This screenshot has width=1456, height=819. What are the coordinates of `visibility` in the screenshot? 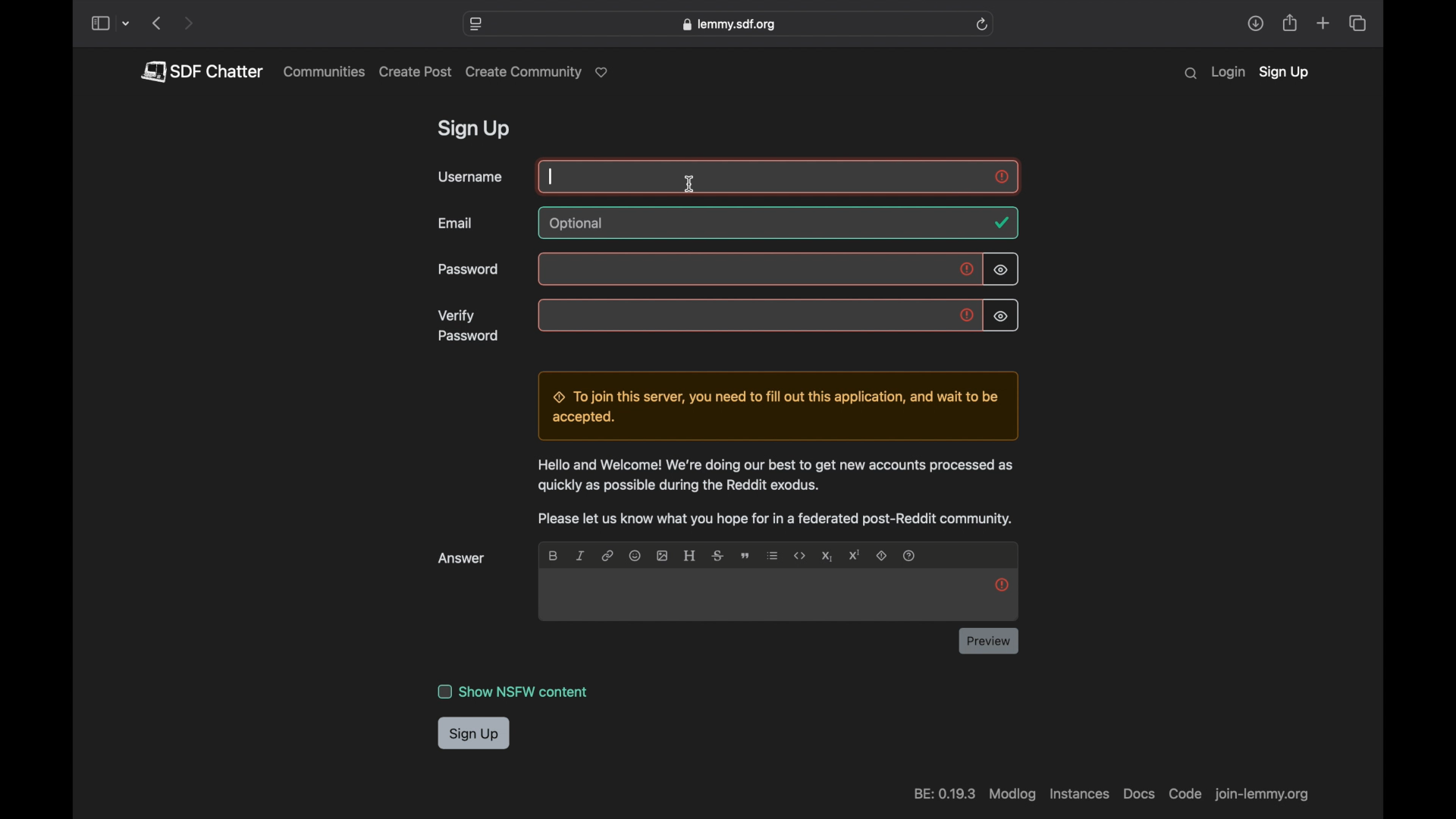 It's located at (1002, 270).